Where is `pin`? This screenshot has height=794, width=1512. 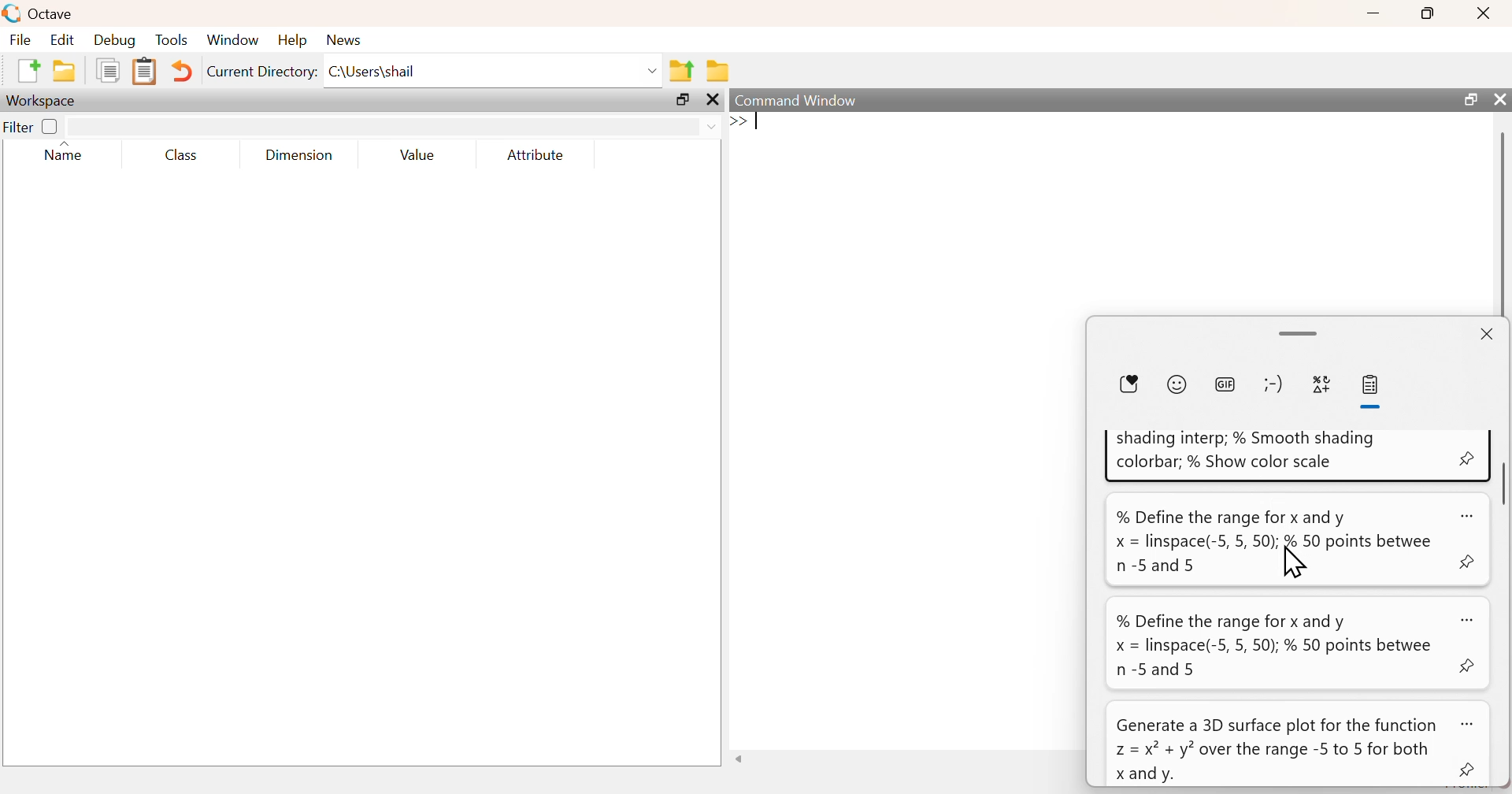 pin is located at coordinates (1469, 667).